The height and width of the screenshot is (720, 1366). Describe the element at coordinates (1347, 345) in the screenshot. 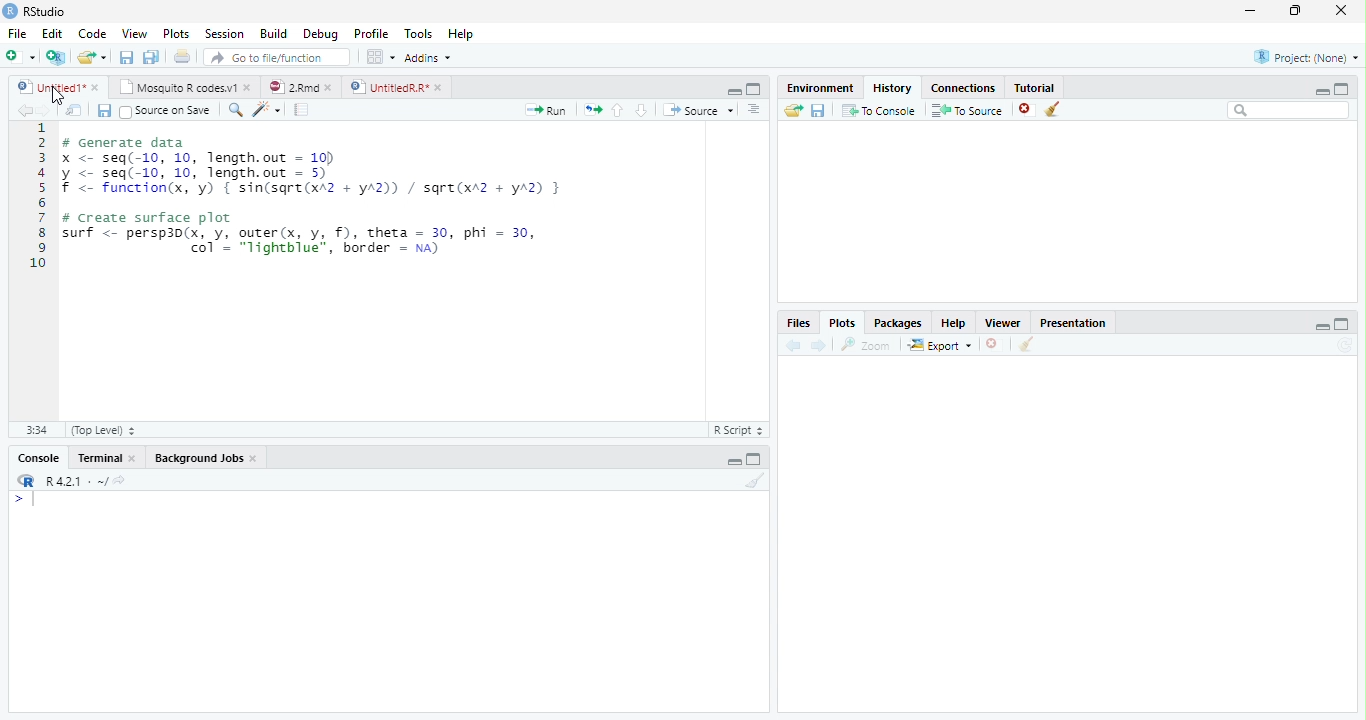

I see `Refresh current plot` at that location.